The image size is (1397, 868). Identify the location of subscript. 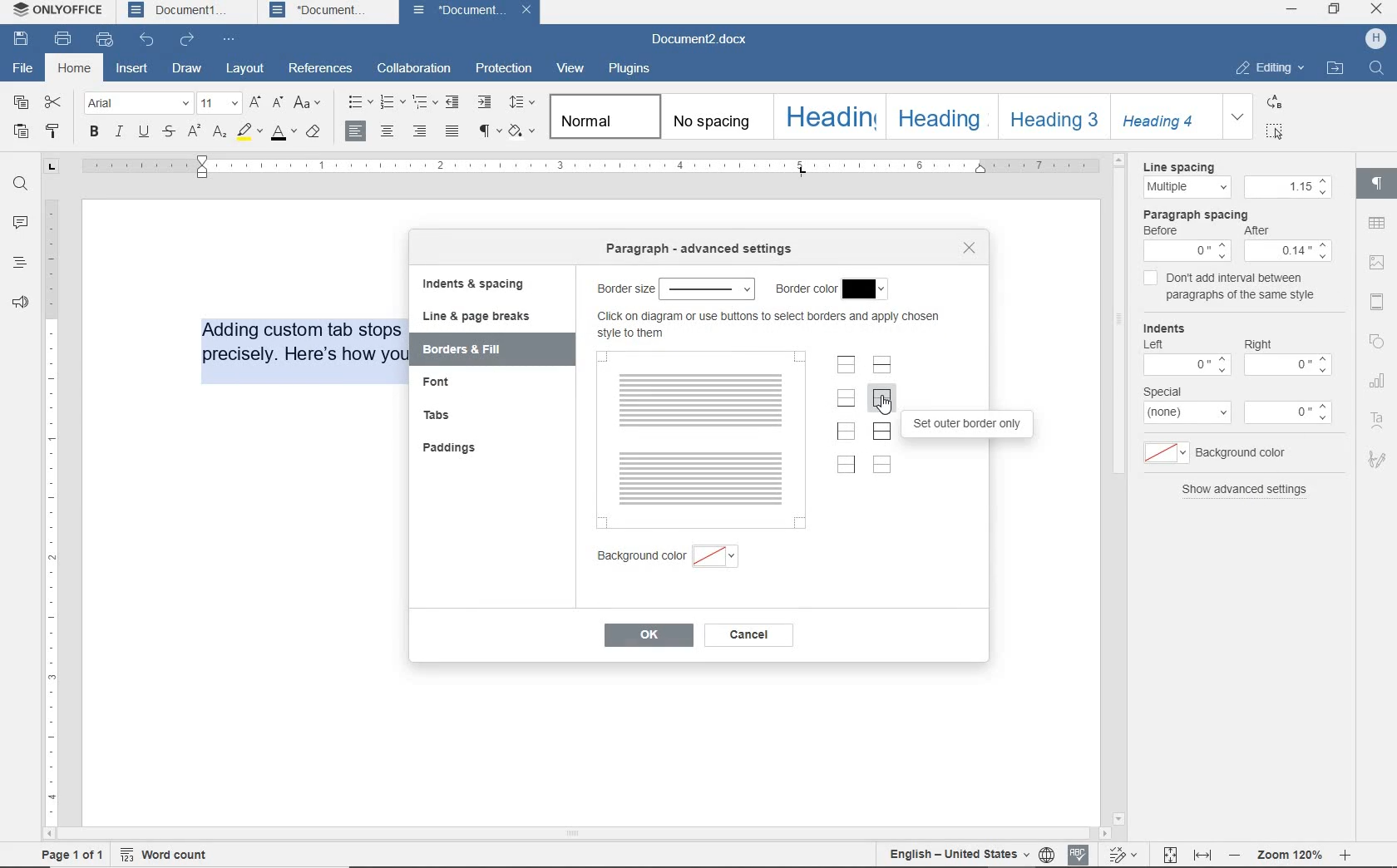
(220, 133).